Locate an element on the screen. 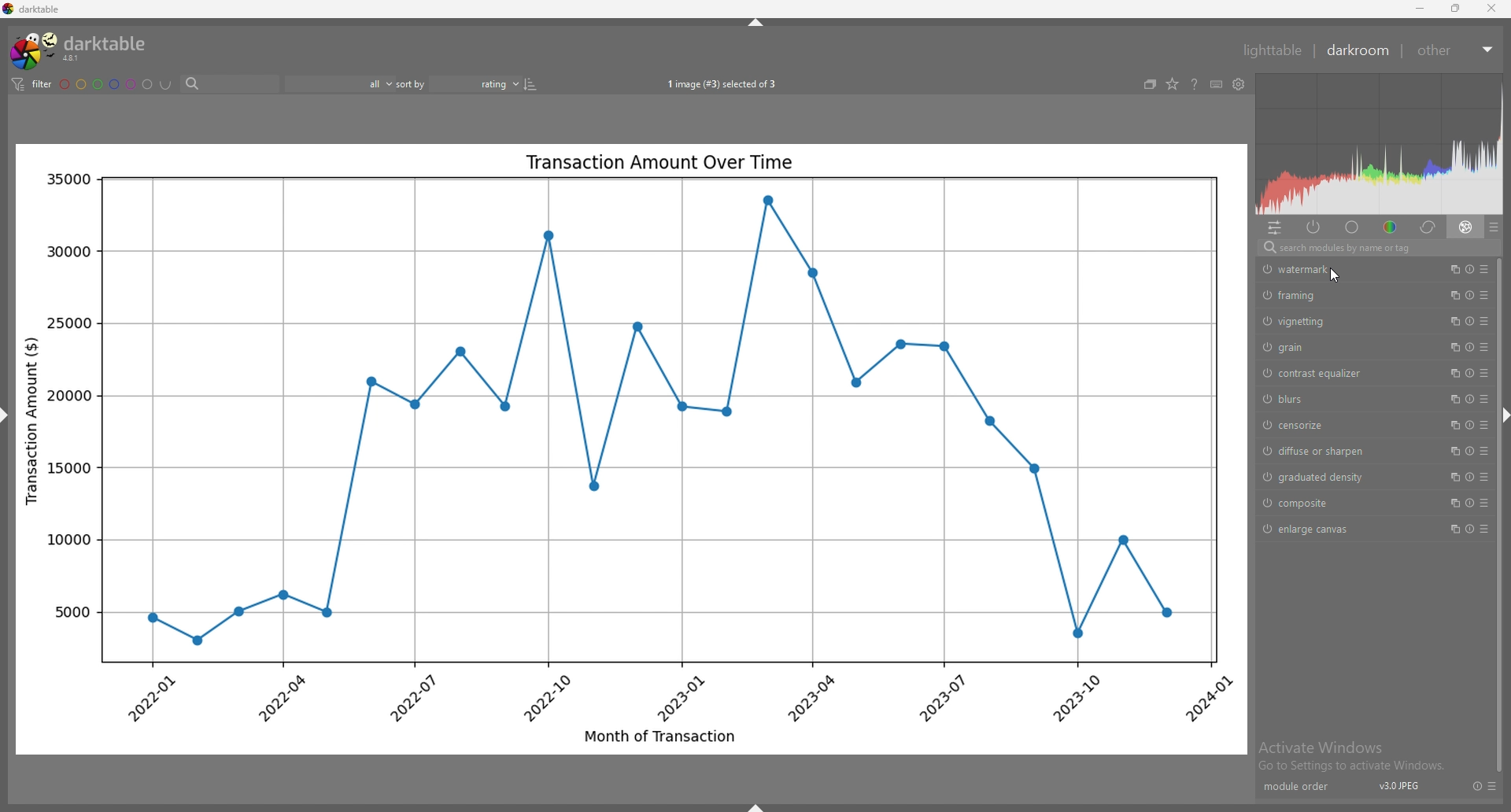 The image size is (1511, 812). color labels is located at coordinates (106, 83).